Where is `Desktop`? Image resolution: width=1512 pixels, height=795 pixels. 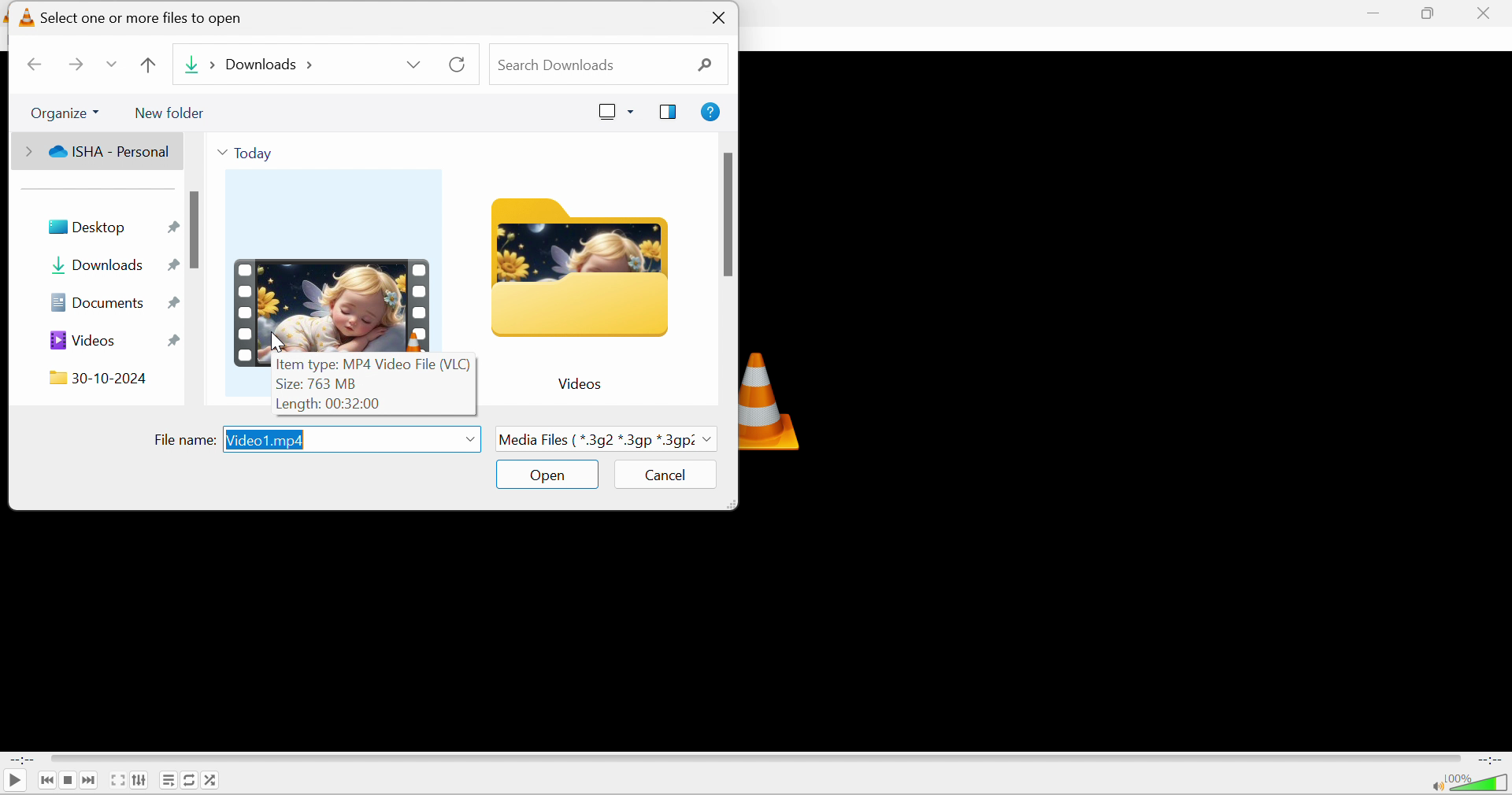
Desktop is located at coordinates (88, 229).